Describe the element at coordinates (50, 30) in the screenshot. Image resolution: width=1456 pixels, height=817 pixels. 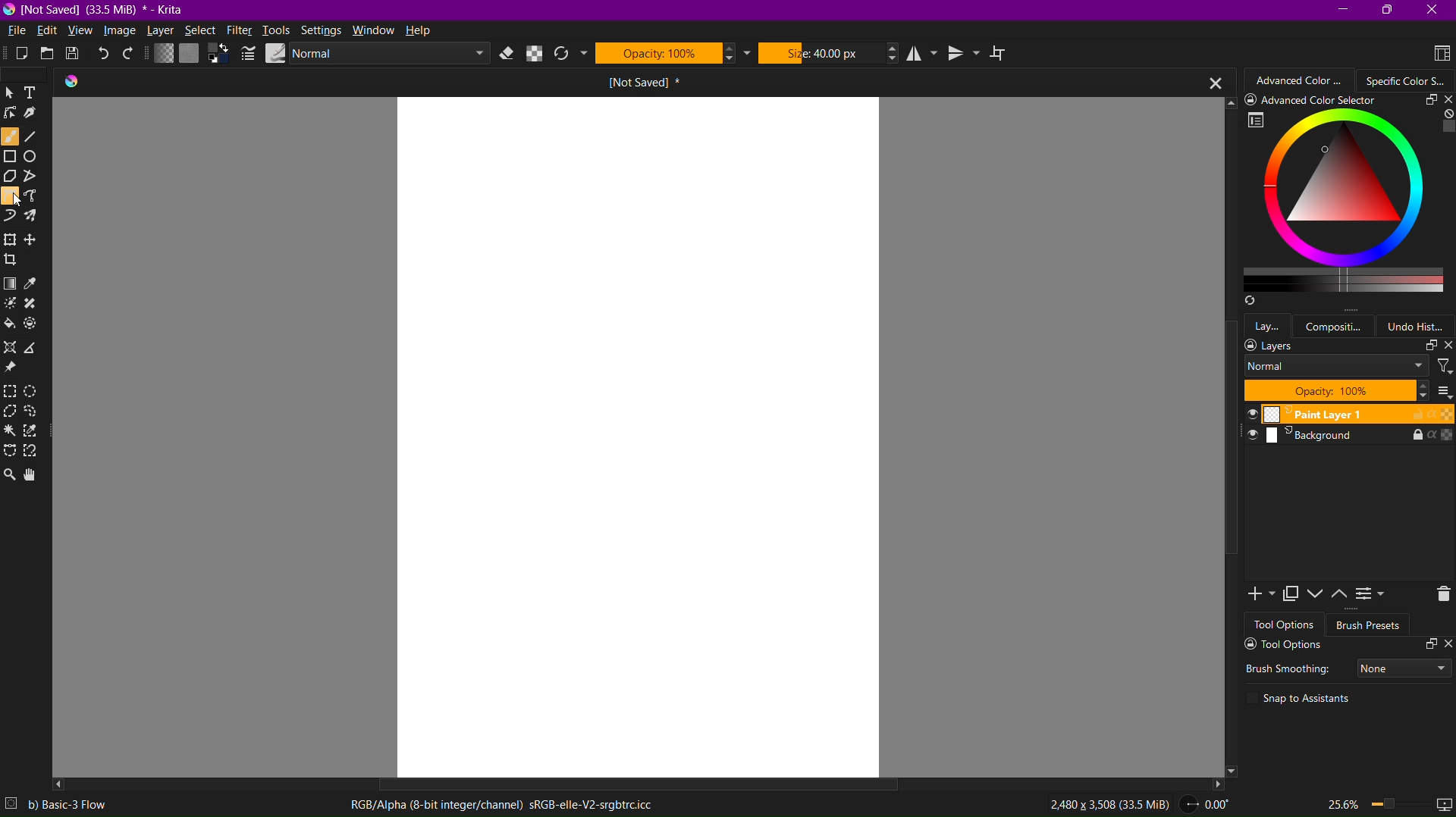
I see `Edit` at that location.